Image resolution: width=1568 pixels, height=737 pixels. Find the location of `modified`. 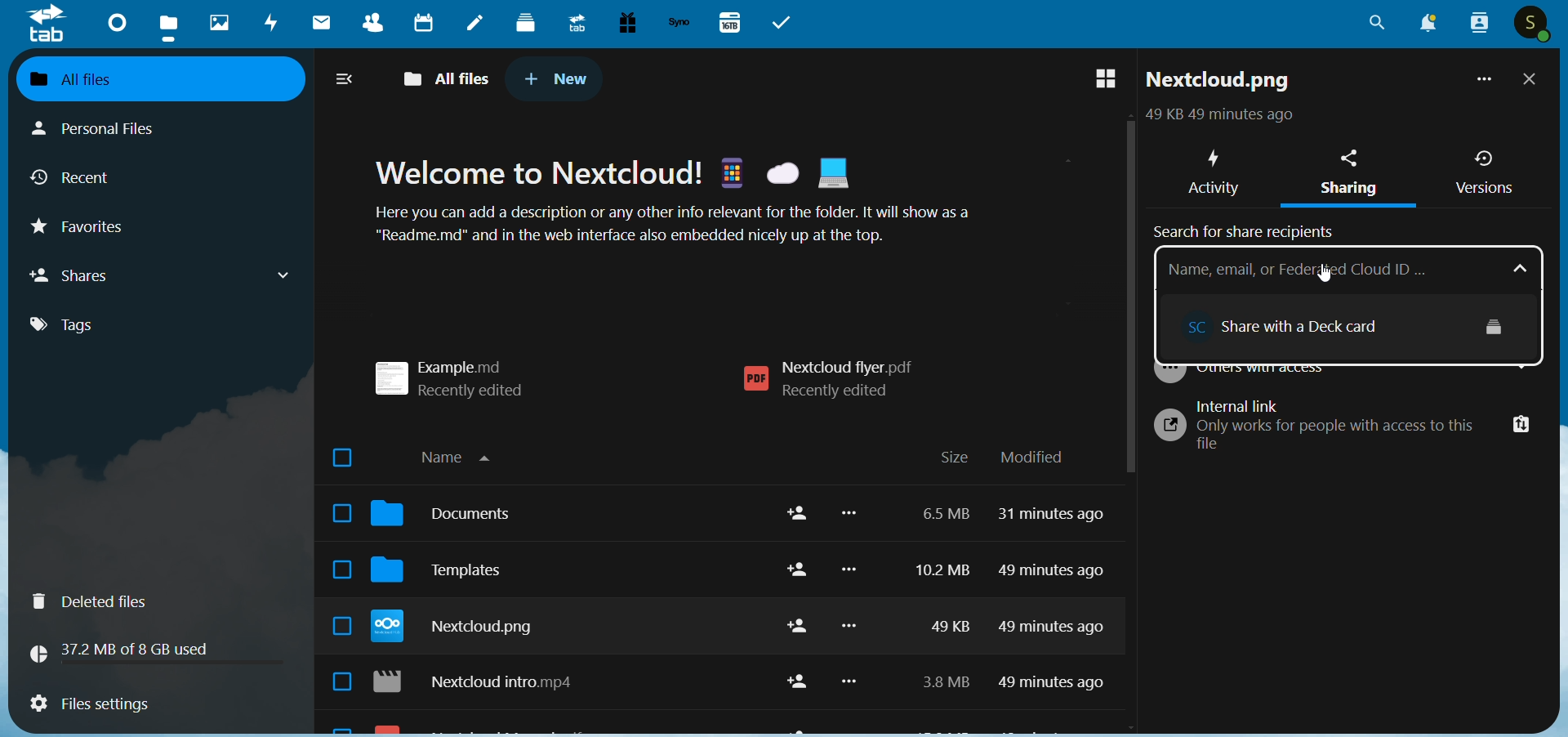

modified is located at coordinates (1032, 458).